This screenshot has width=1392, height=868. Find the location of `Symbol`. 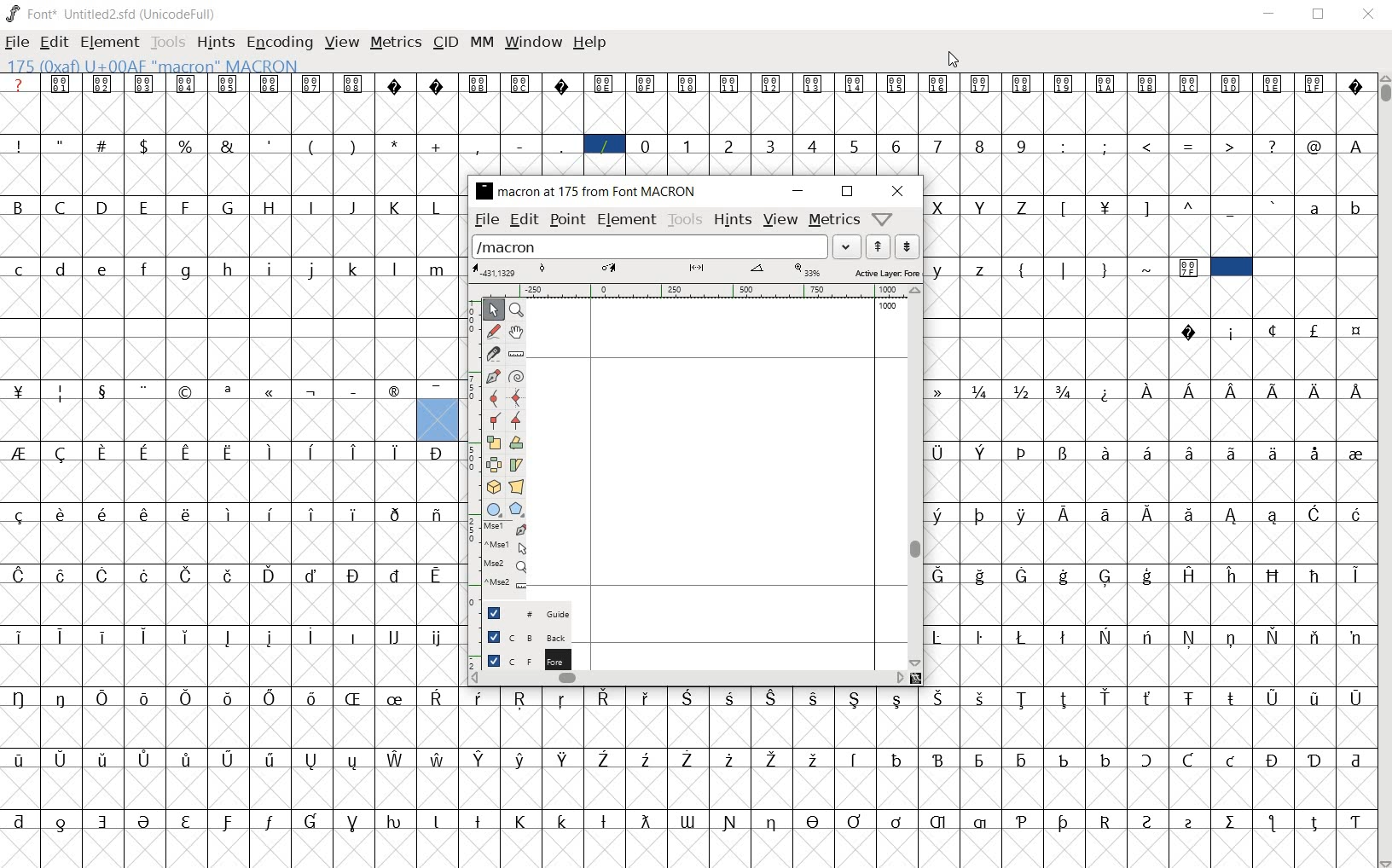

Symbol is located at coordinates (1024, 576).